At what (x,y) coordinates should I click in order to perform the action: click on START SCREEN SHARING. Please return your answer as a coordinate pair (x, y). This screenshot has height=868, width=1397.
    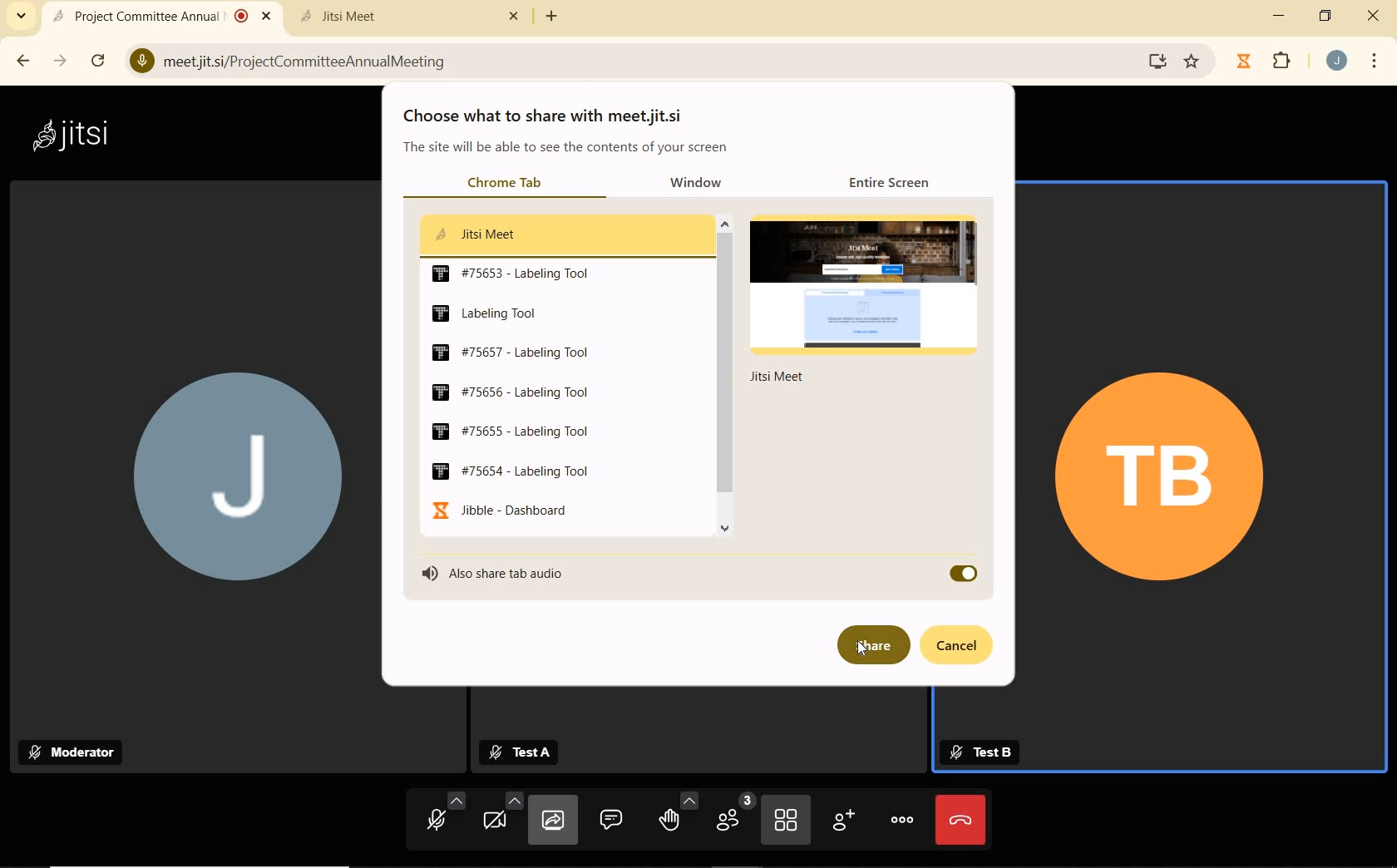
    Looking at the image, I should click on (553, 822).